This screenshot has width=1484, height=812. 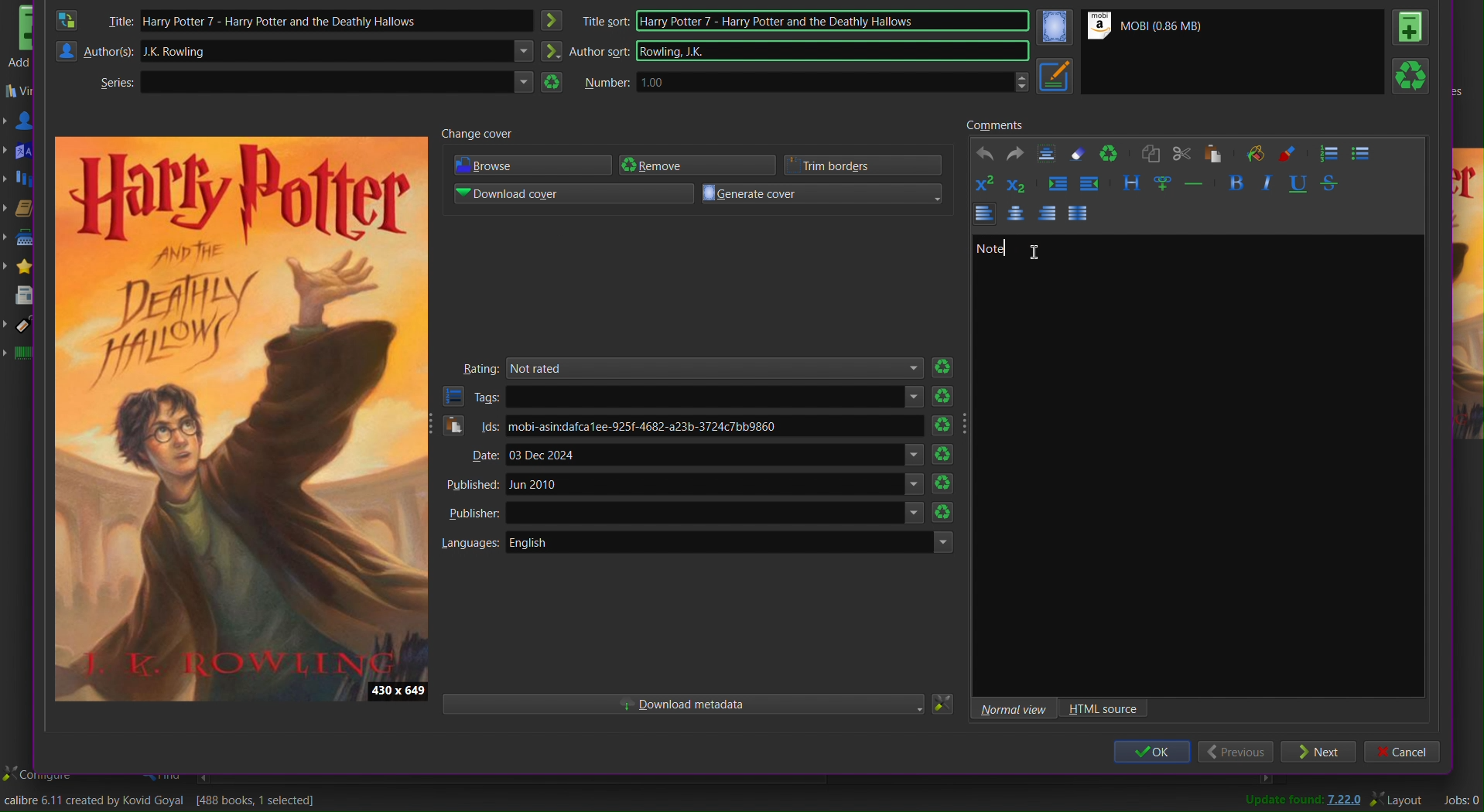 I want to click on Rowling JK, so click(x=835, y=49).